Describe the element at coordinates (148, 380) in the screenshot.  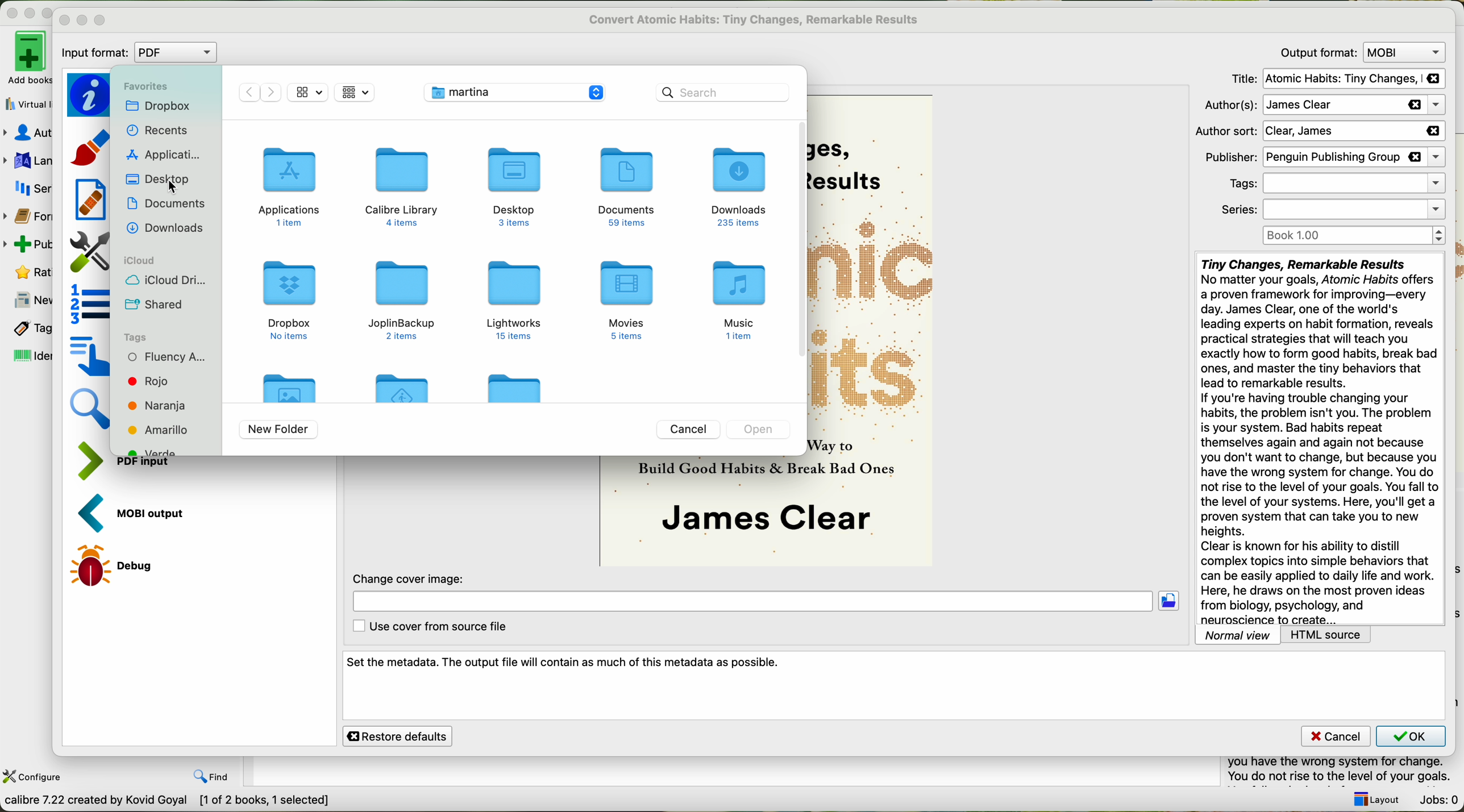
I see `red tag` at that location.